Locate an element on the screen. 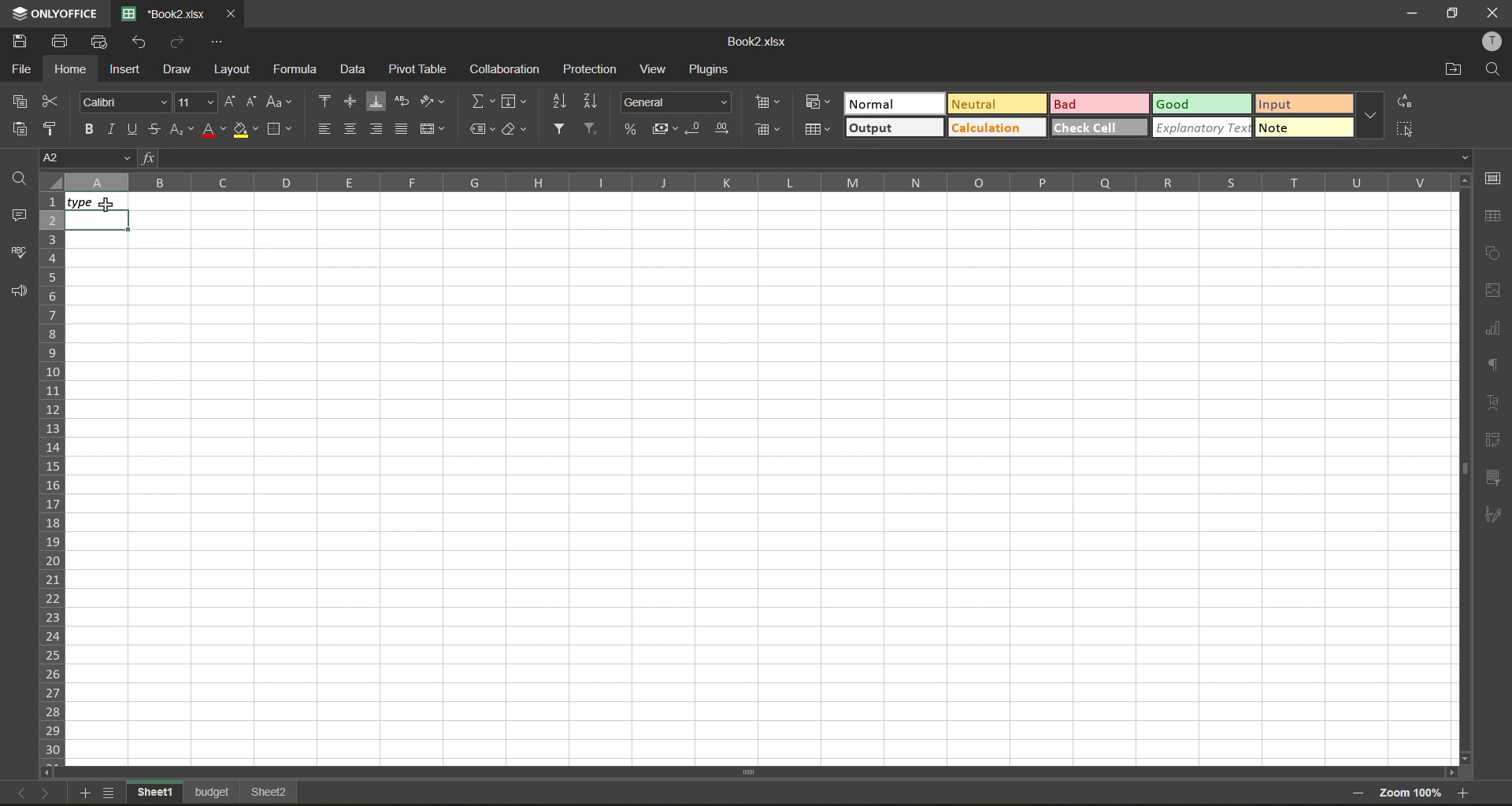 This screenshot has height=806, width=1512. cell settings is located at coordinates (1492, 177).